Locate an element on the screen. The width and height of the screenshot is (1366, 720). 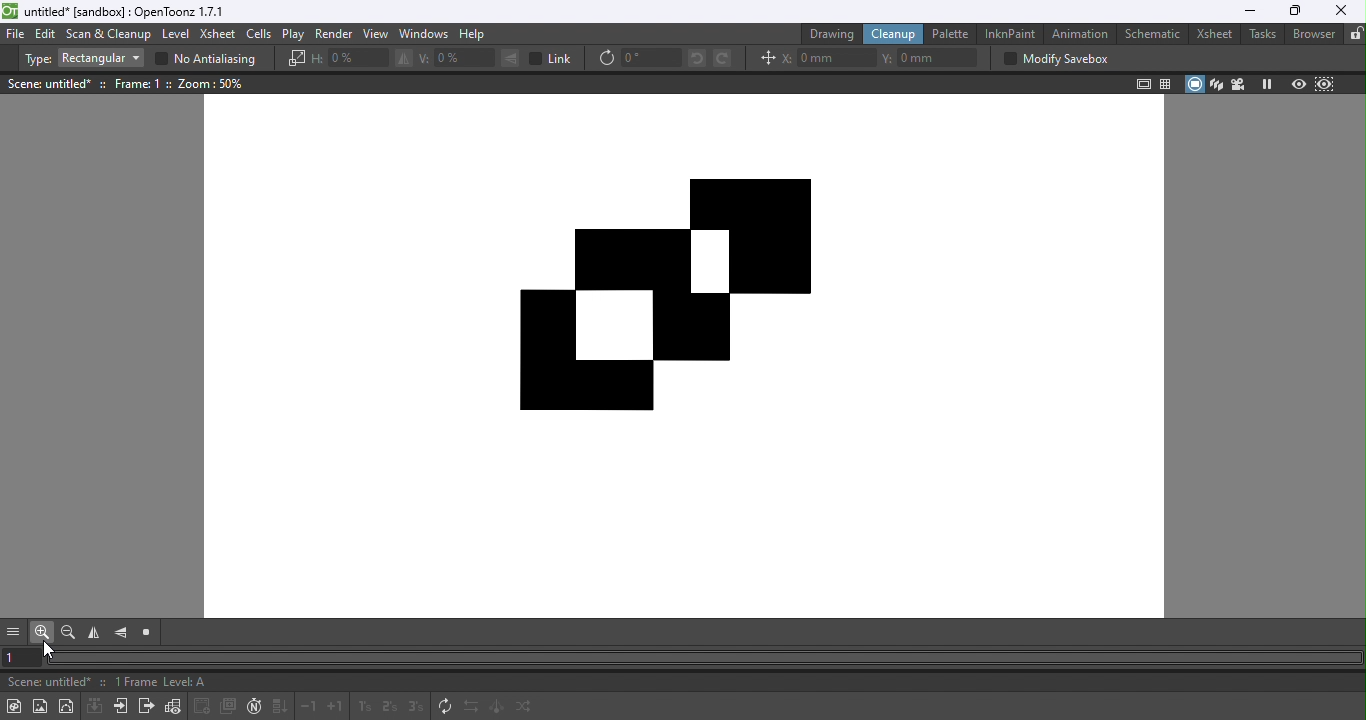
Safe area is located at coordinates (1141, 84).